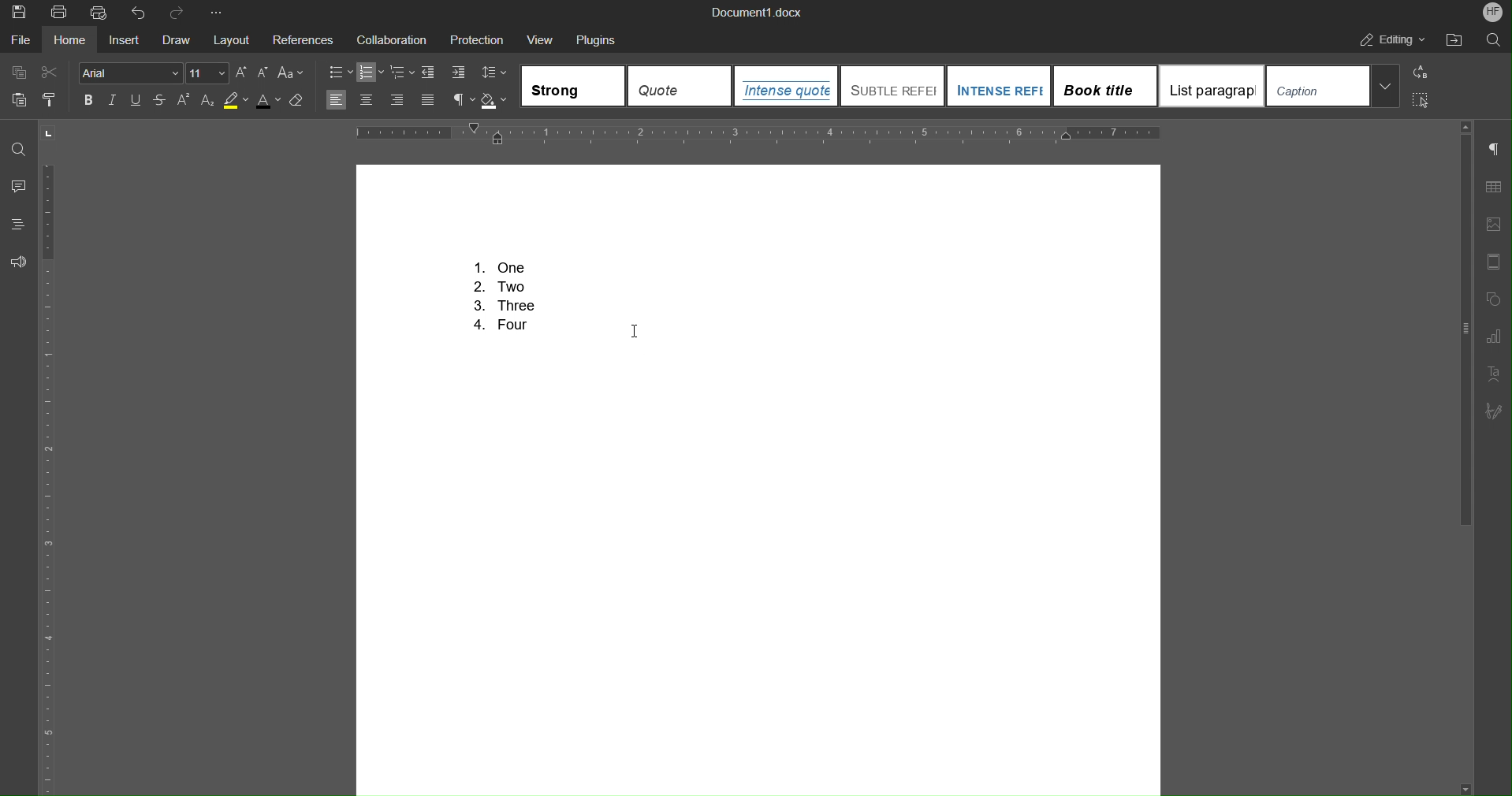 The width and height of the screenshot is (1512, 796). Describe the element at coordinates (19, 186) in the screenshot. I see `Comments` at that location.